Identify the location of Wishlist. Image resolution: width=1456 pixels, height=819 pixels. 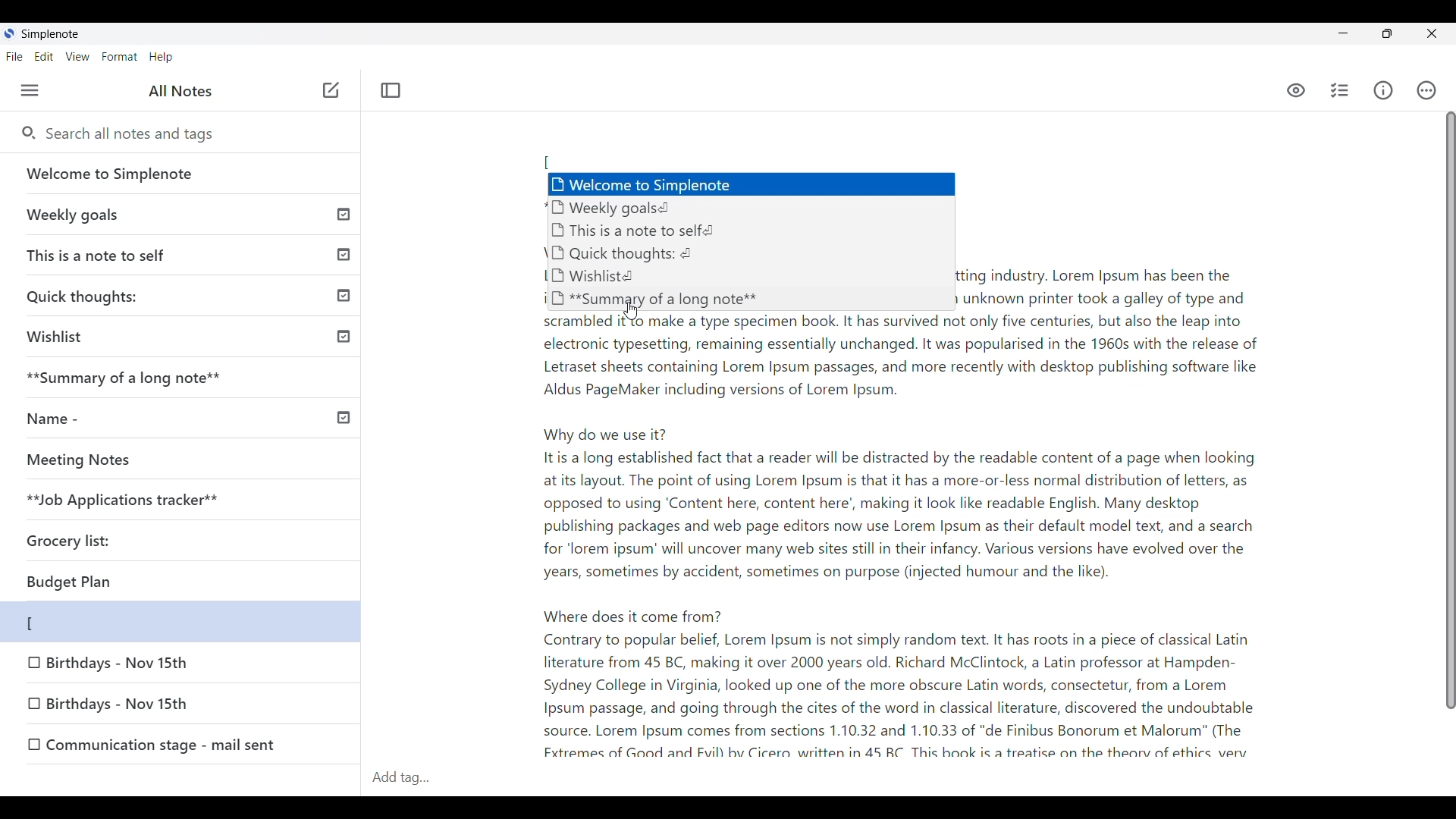
(184, 337).